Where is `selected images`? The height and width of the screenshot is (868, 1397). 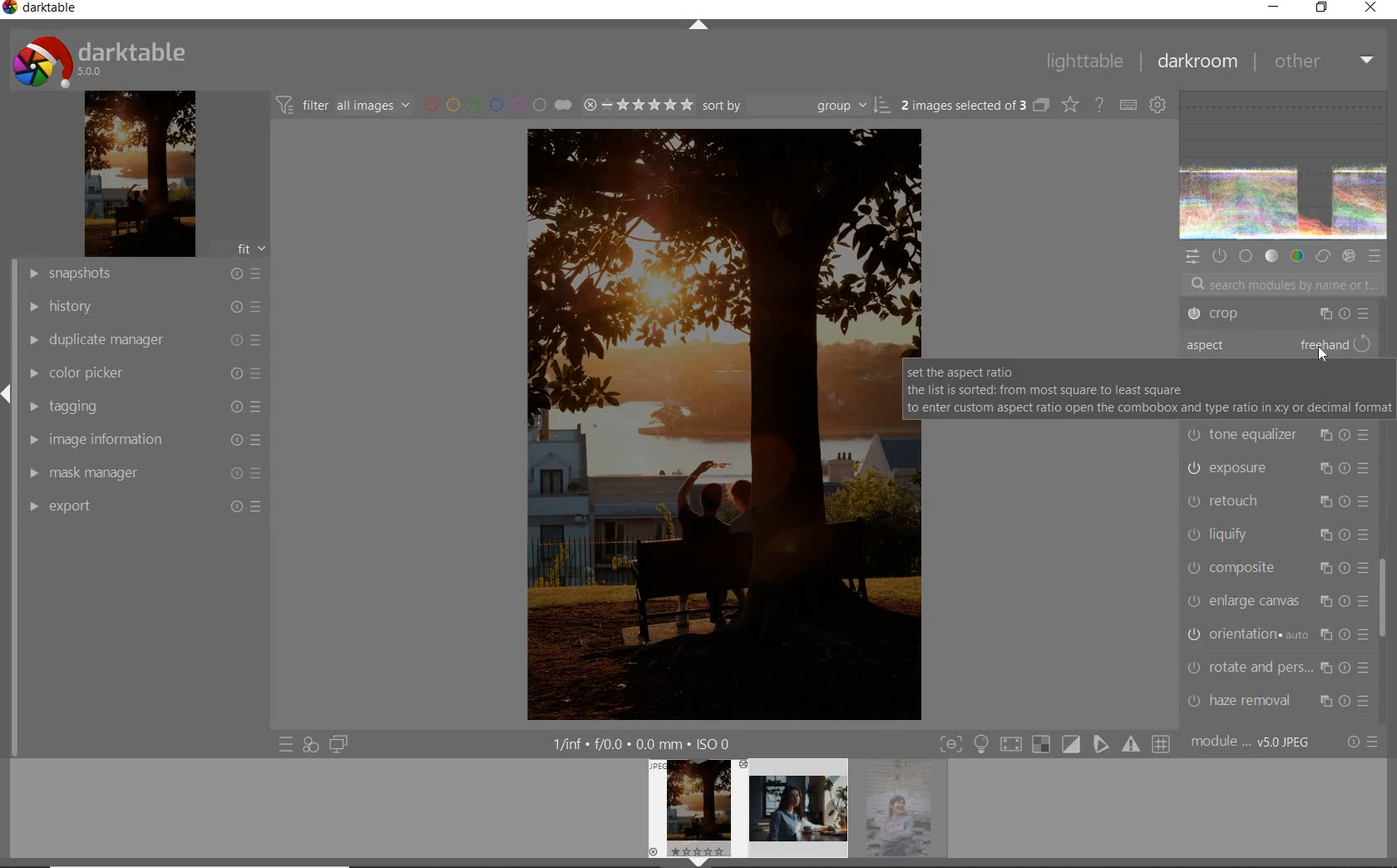
selected images is located at coordinates (962, 105).